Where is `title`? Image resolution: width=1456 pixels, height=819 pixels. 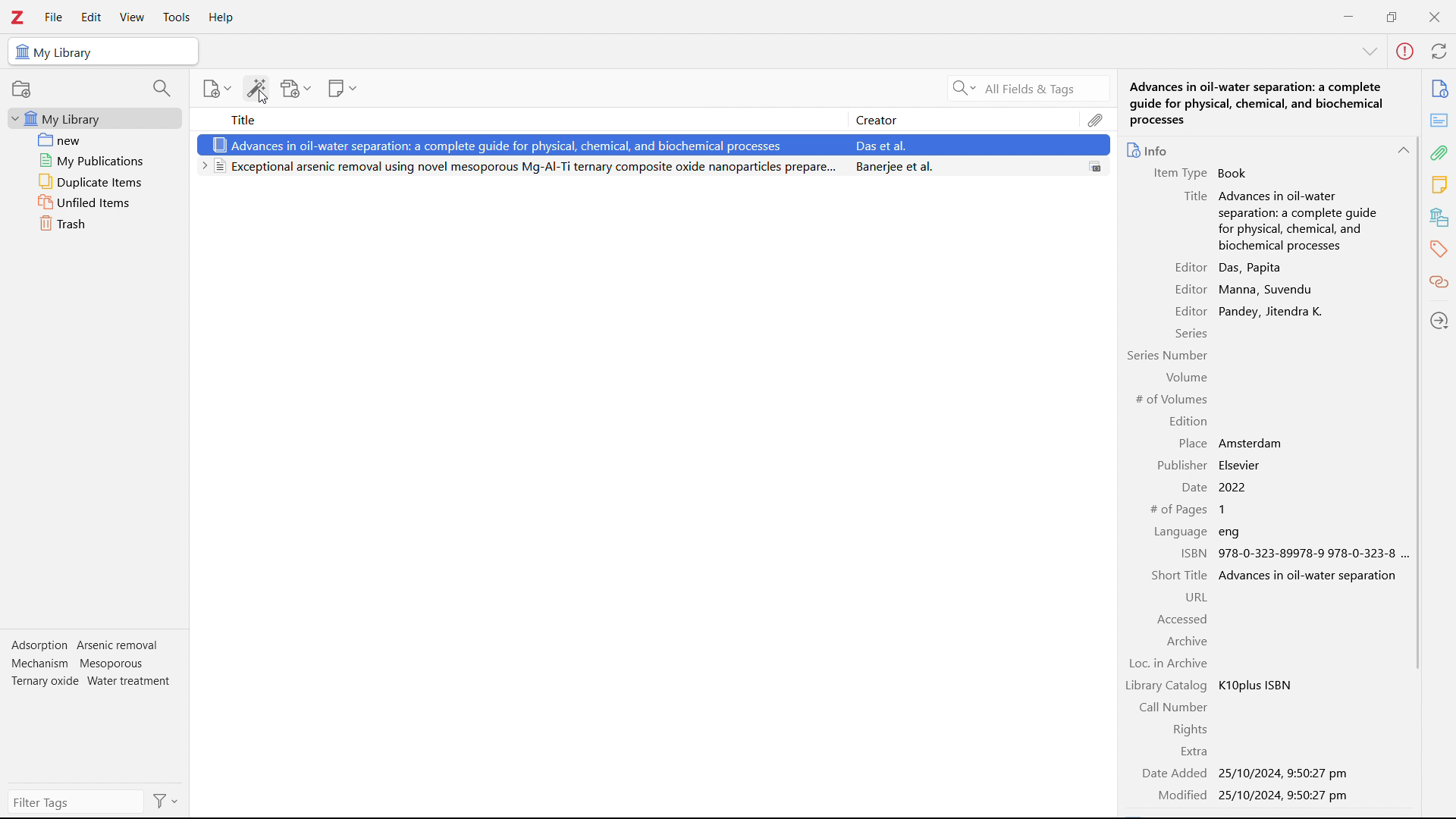 title is located at coordinates (1194, 195).